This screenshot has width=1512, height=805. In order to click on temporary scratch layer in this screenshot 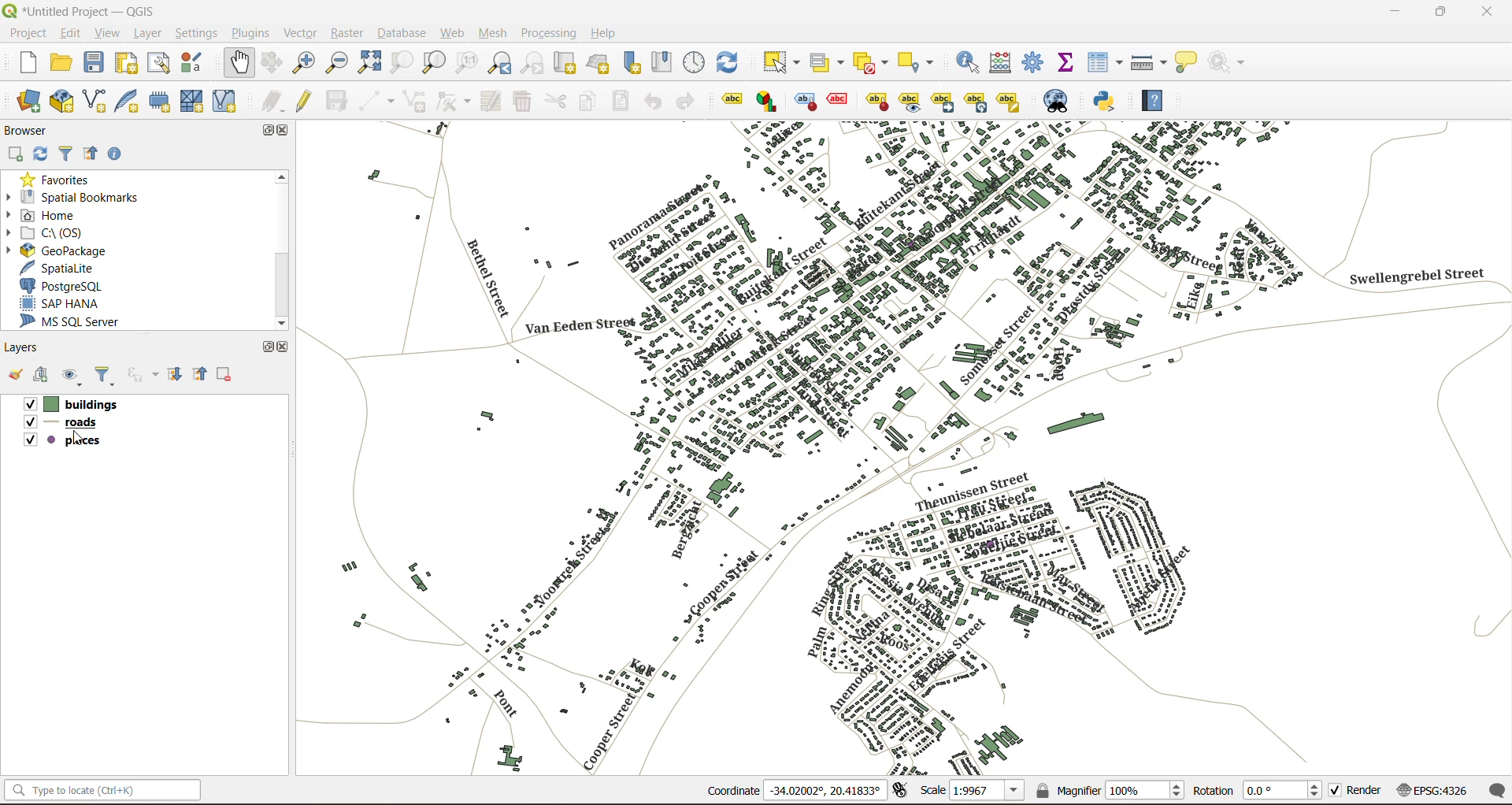, I will do `click(161, 101)`.